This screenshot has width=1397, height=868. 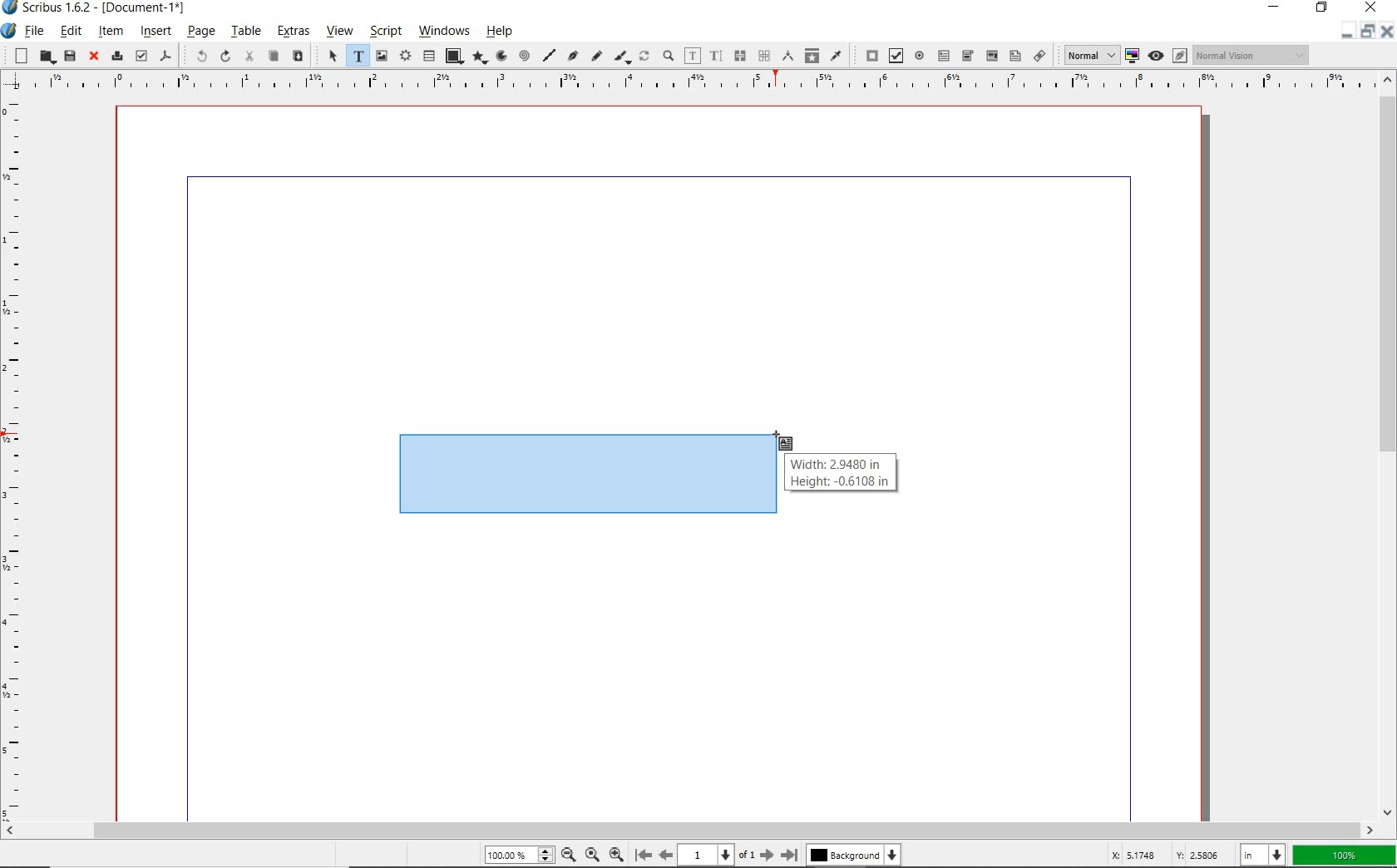 I want to click on item, so click(x=111, y=31).